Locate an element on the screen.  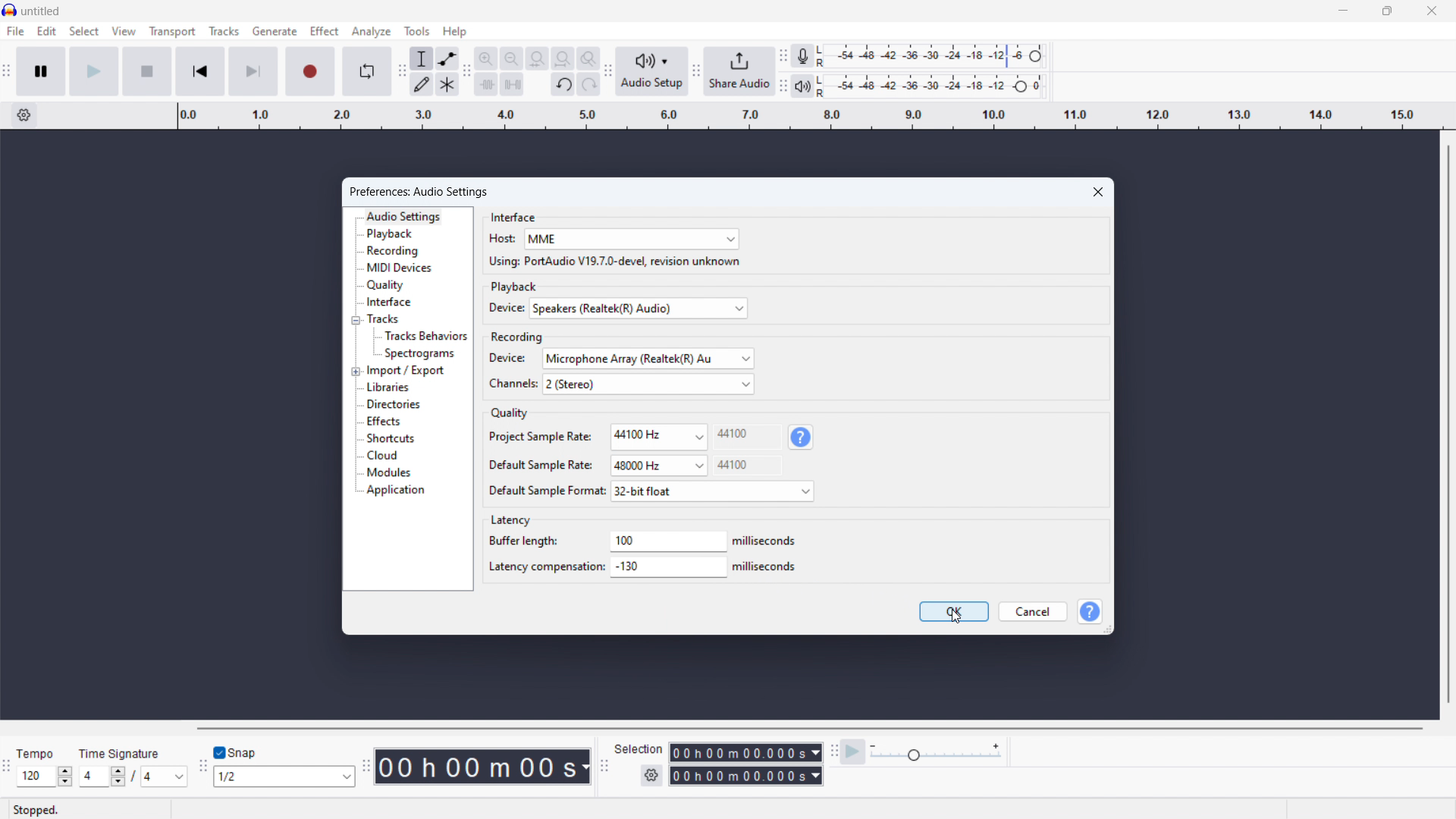
latency is located at coordinates (510, 521).